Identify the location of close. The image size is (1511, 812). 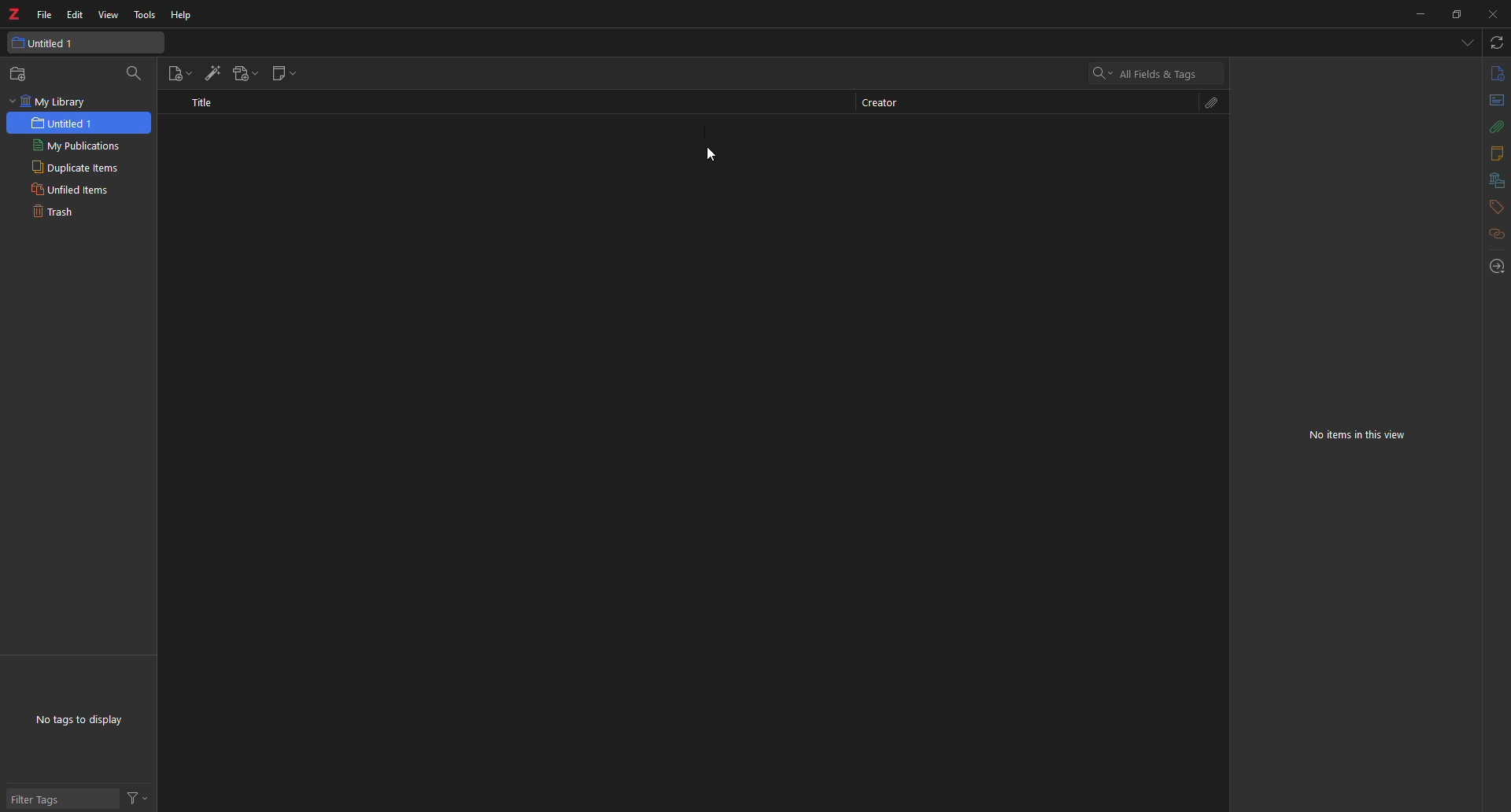
(1494, 13).